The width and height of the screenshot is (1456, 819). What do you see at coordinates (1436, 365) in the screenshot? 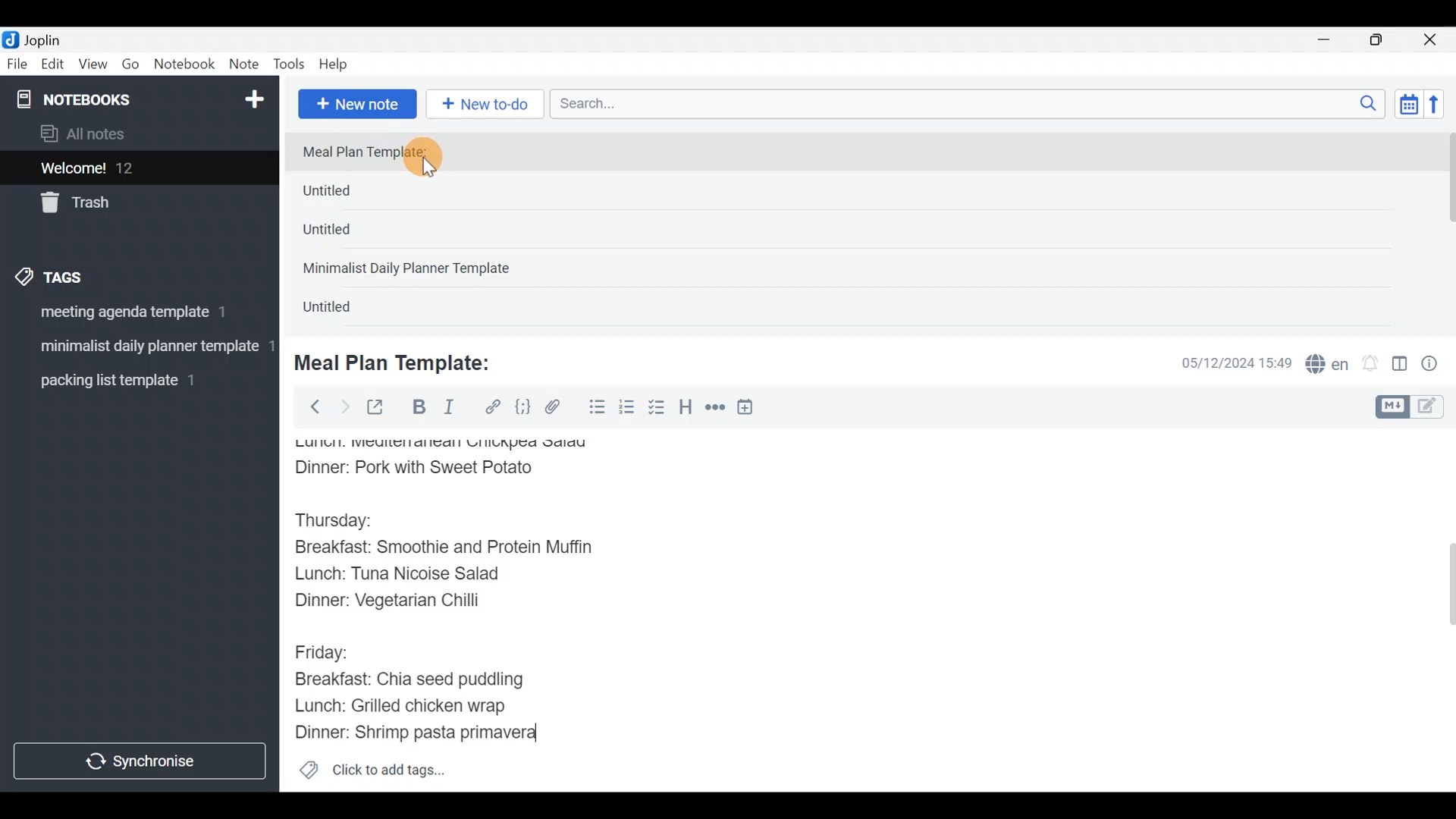
I see `Note properties` at bounding box center [1436, 365].